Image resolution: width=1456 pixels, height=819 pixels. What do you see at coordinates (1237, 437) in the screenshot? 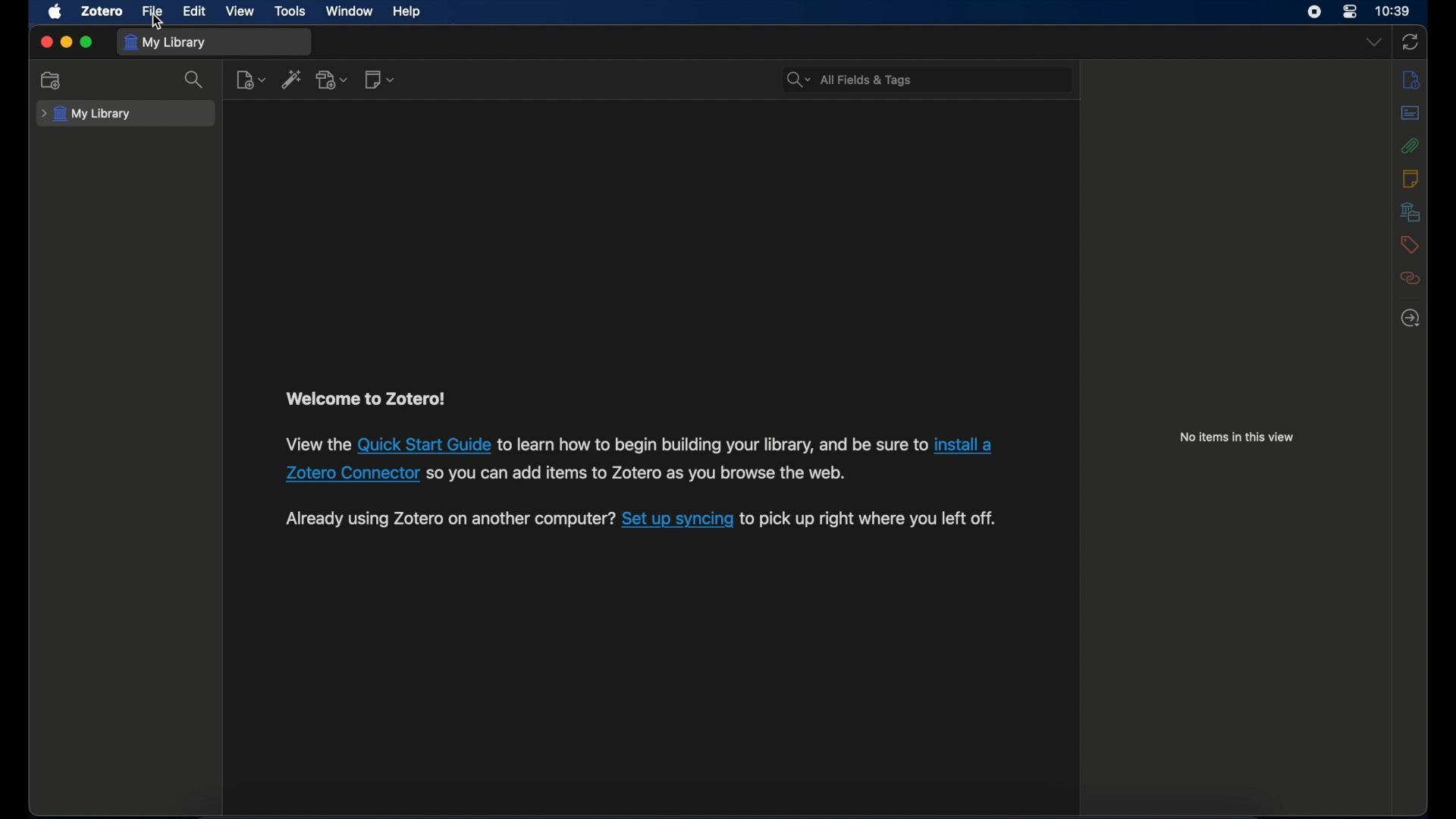
I see `no items in this view` at bounding box center [1237, 437].